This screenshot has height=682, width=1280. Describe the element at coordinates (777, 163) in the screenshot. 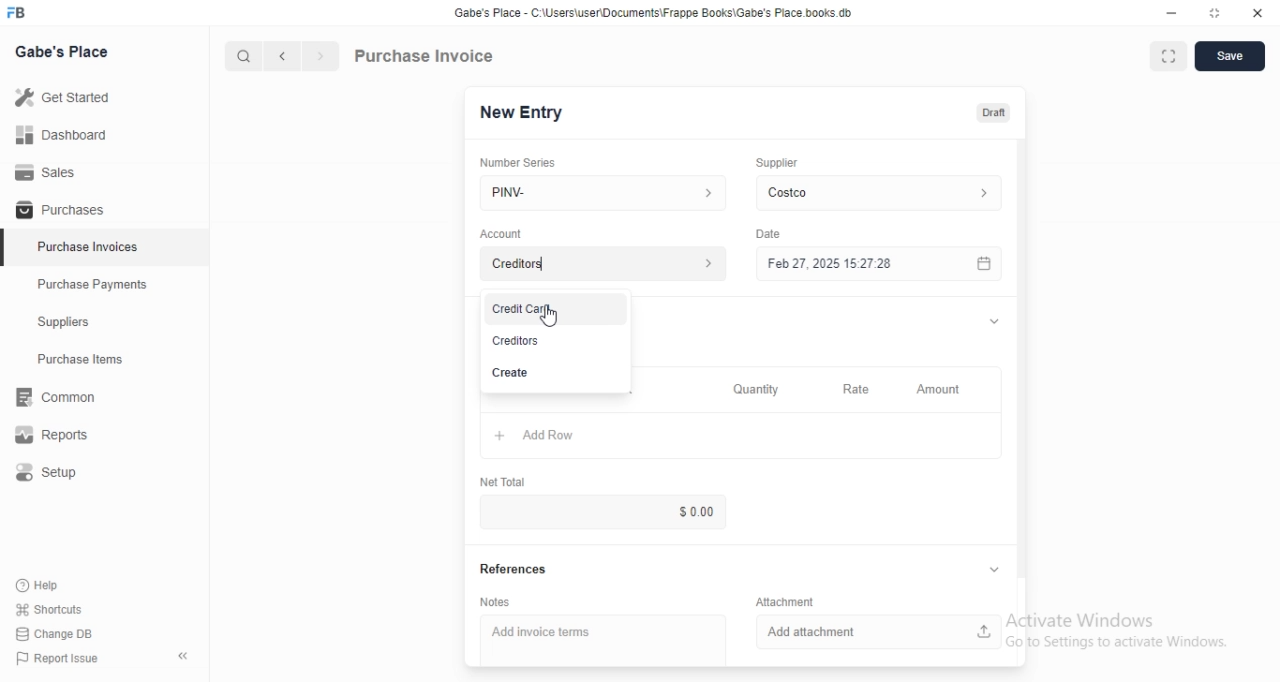

I see `Supplier` at that location.